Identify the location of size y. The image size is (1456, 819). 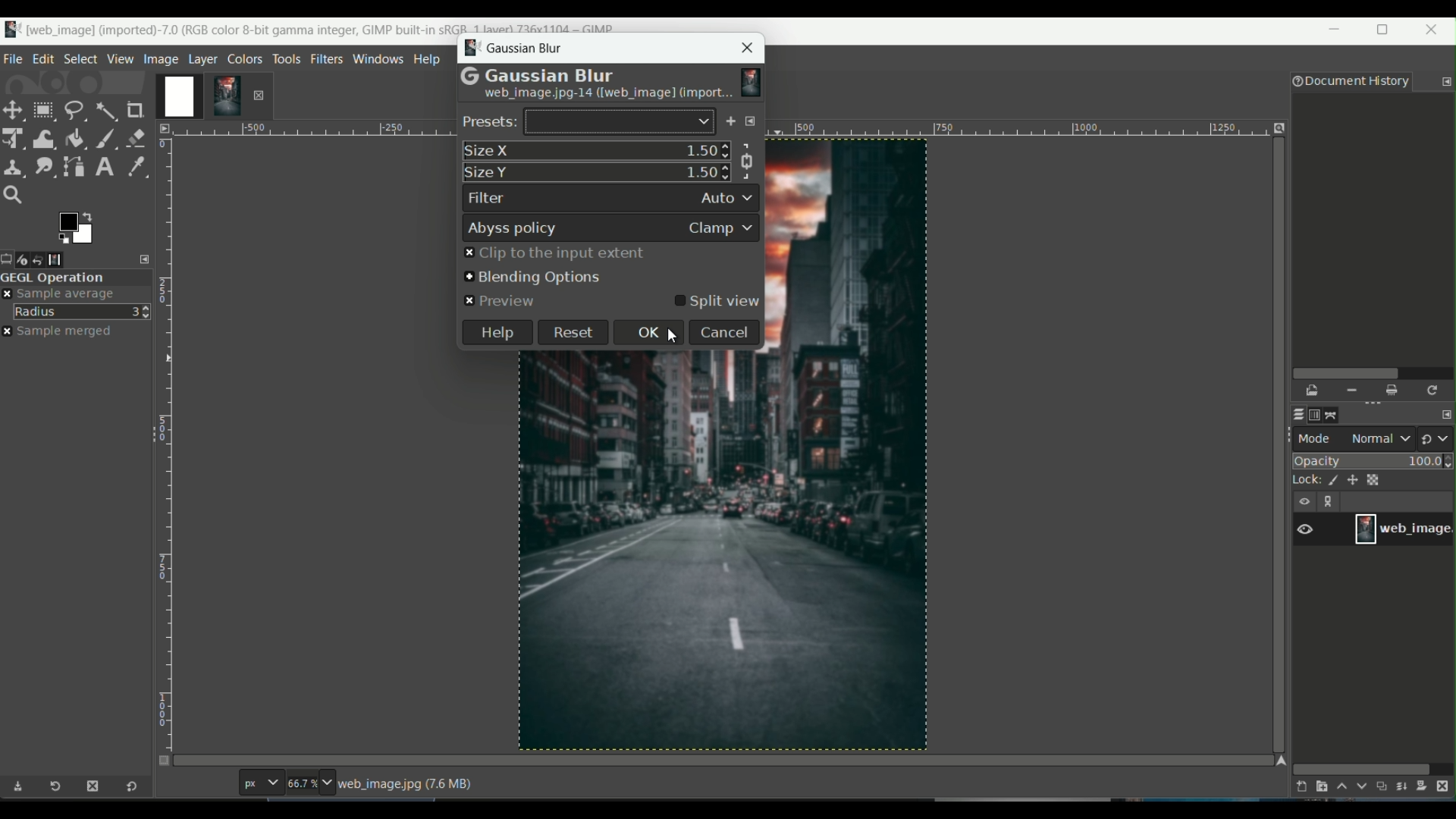
(489, 173).